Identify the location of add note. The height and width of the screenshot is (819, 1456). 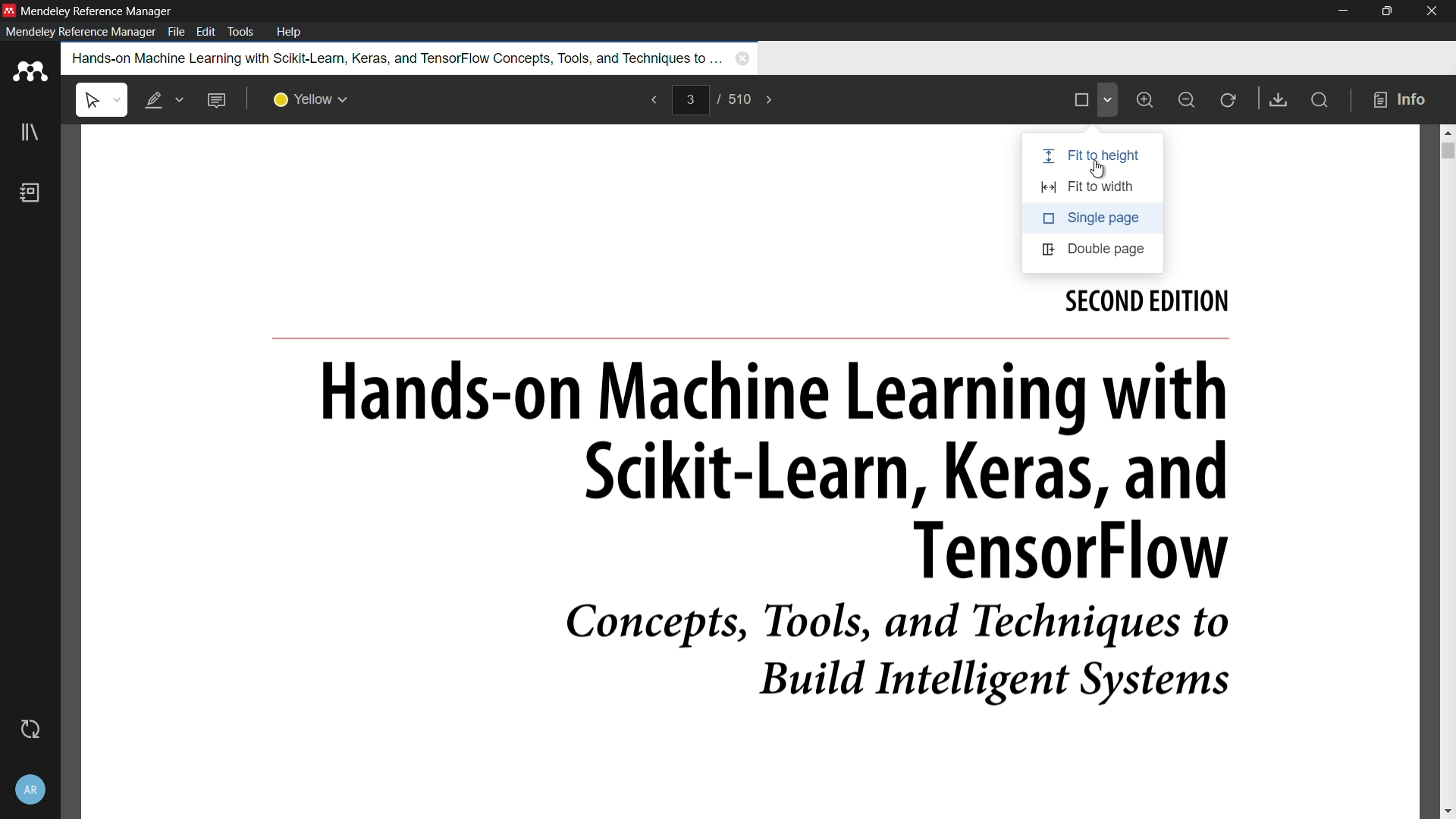
(216, 100).